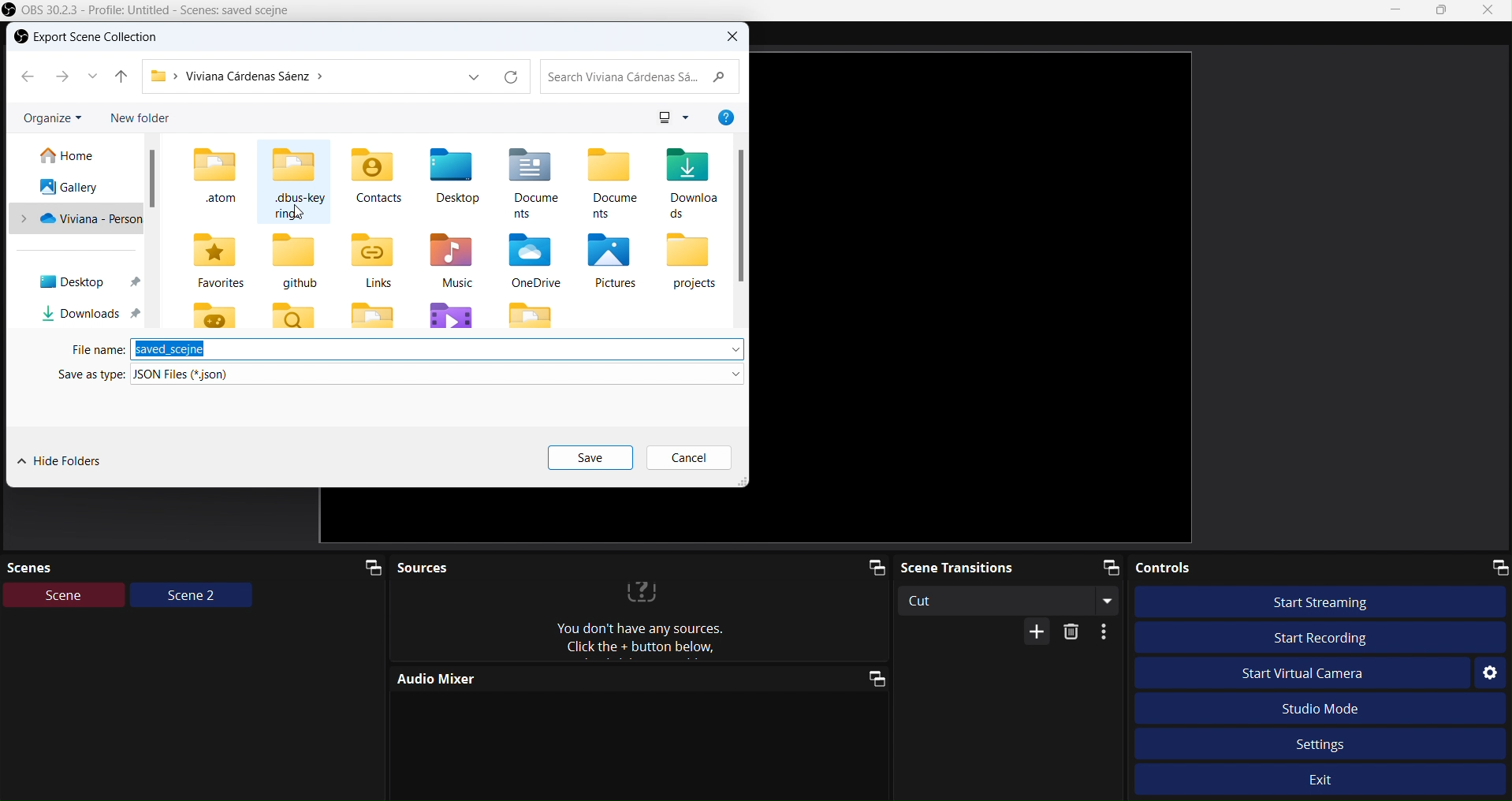 The width and height of the screenshot is (1512, 801). What do you see at coordinates (1323, 601) in the screenshot?
I see `Start streaming` at bounding box center [1323, 601].